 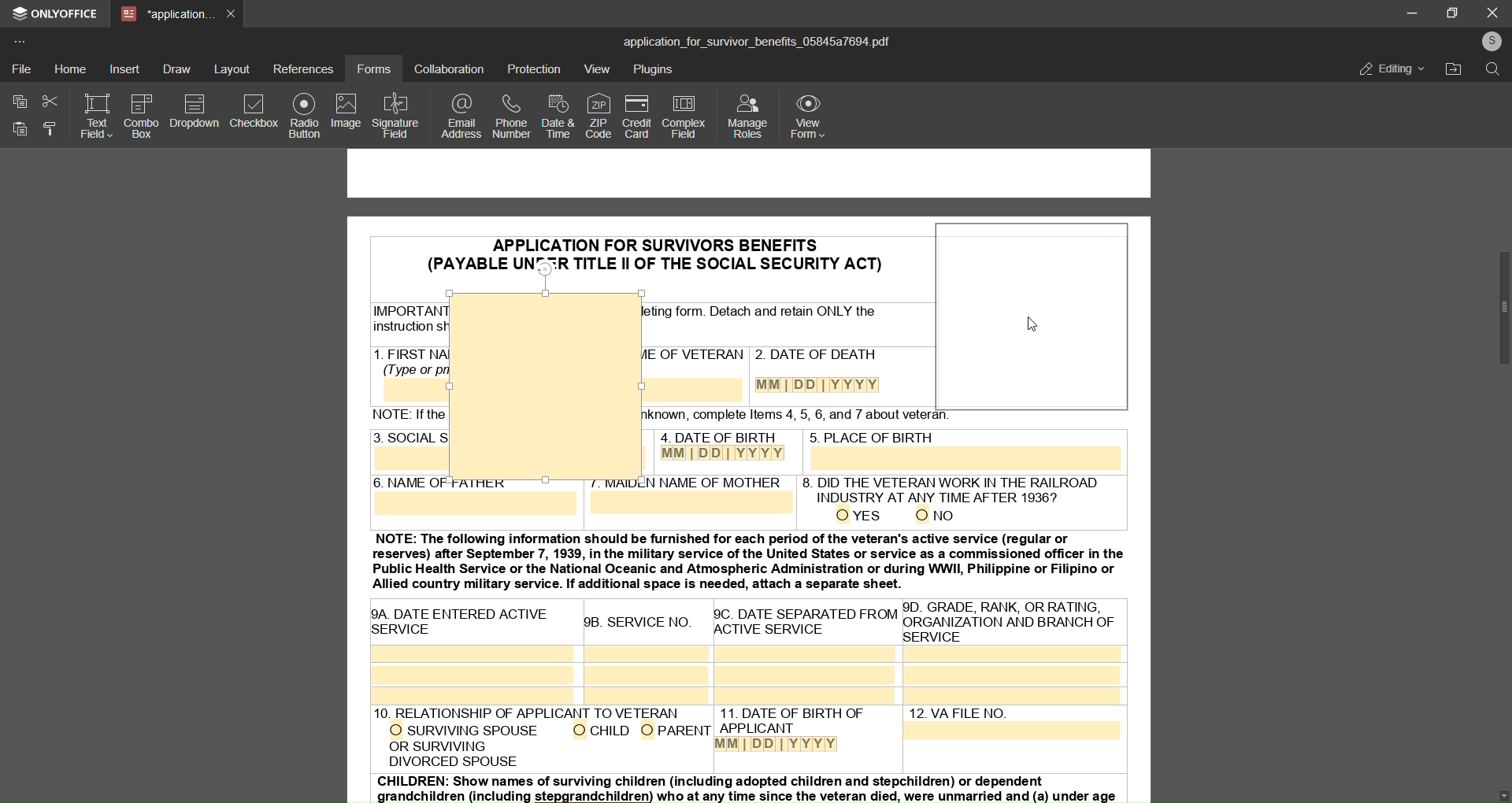 I want to click on combo box, so click(x=142, y=115).